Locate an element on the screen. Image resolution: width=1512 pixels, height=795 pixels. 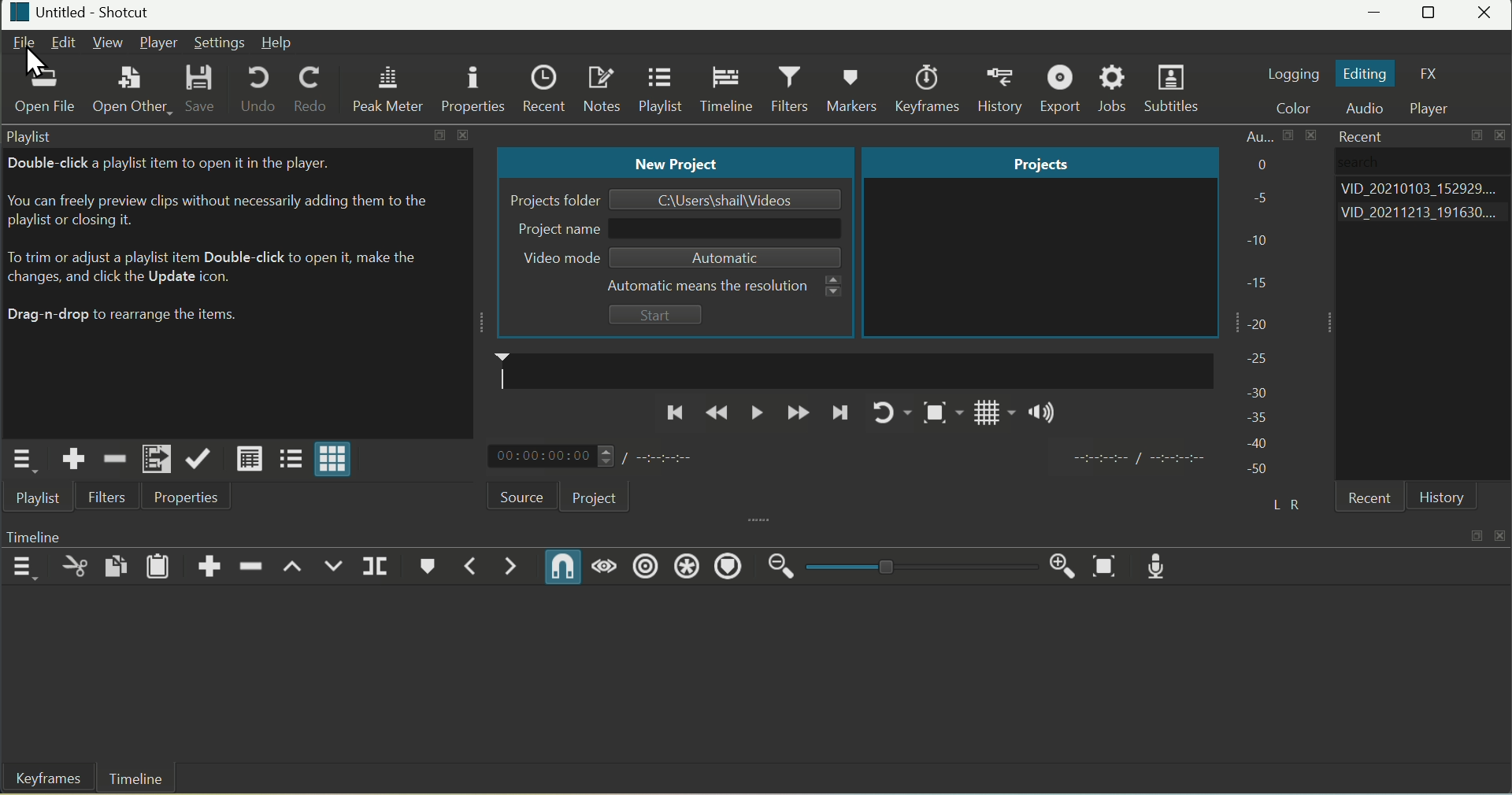
Projects Folder is located at coordinates (544, 203).